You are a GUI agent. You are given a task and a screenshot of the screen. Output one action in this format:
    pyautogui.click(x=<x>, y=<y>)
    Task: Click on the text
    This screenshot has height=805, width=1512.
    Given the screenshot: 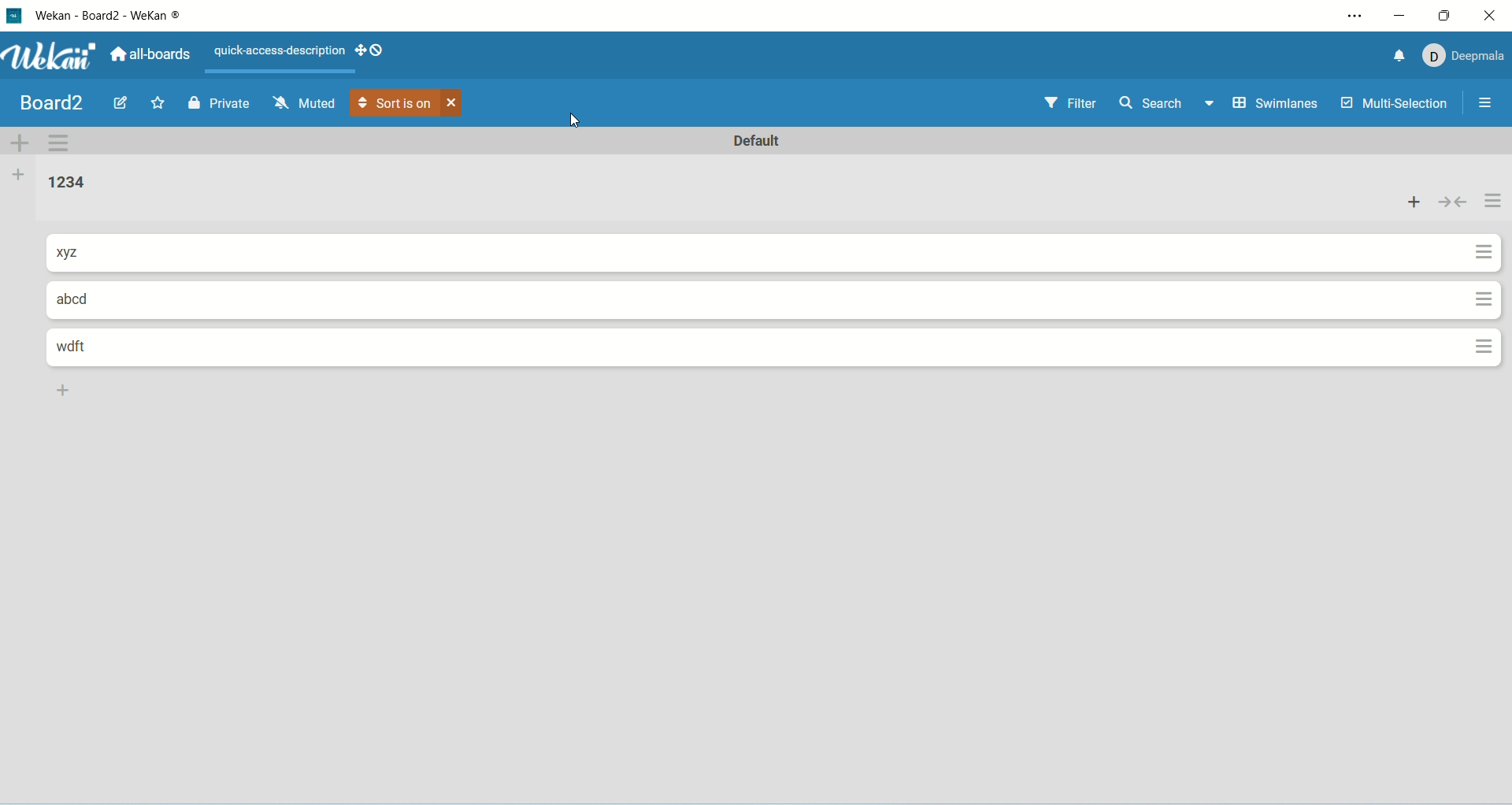 What is the action you would take?
    pyautogui.click(x=273, y=50)
    